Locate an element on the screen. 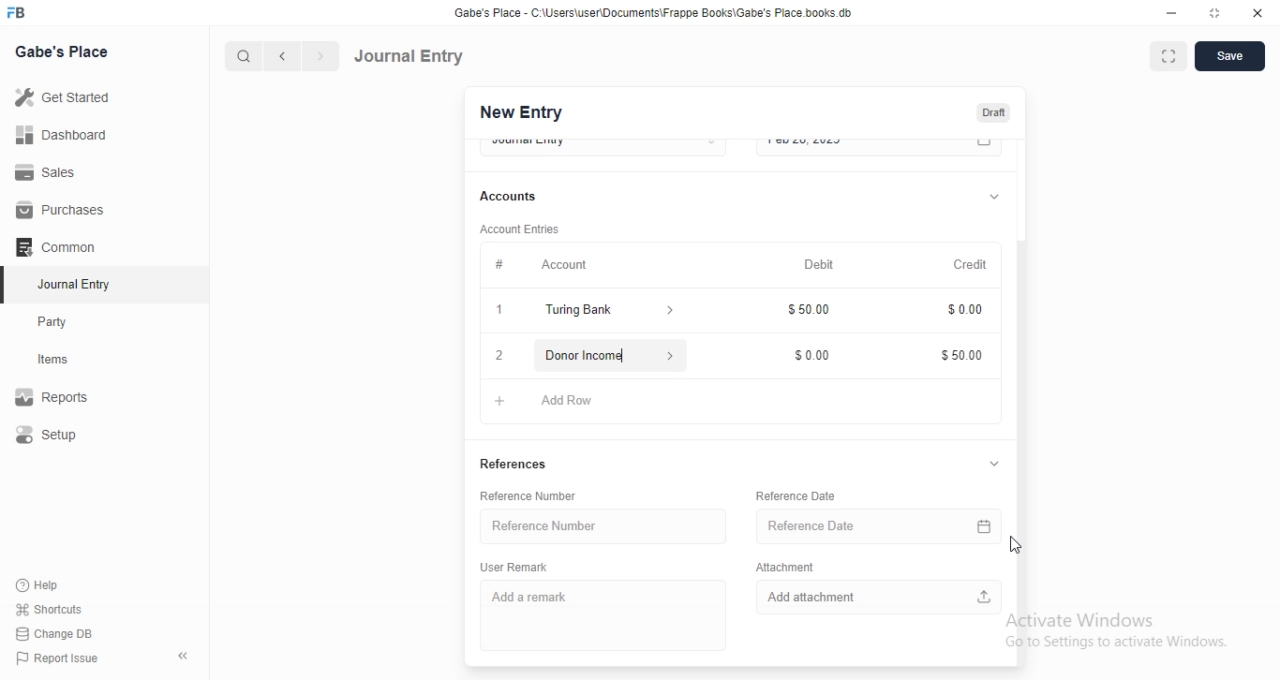 The image size is (1280, 680). Reports is located at coordinates (65, 399).